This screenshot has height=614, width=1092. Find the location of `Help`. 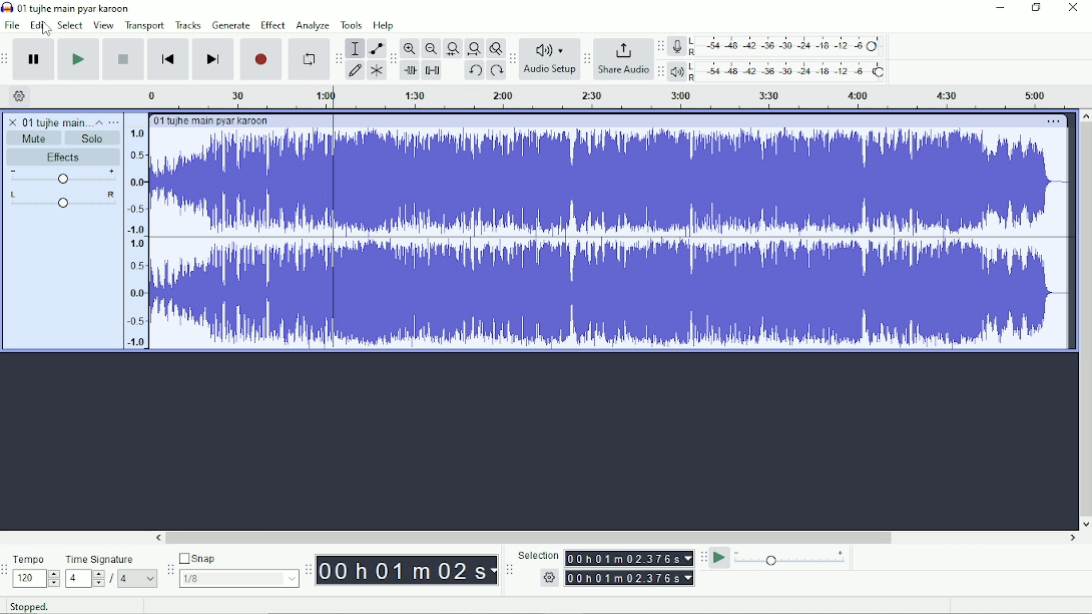

Help is located at coordinates (386, 26).